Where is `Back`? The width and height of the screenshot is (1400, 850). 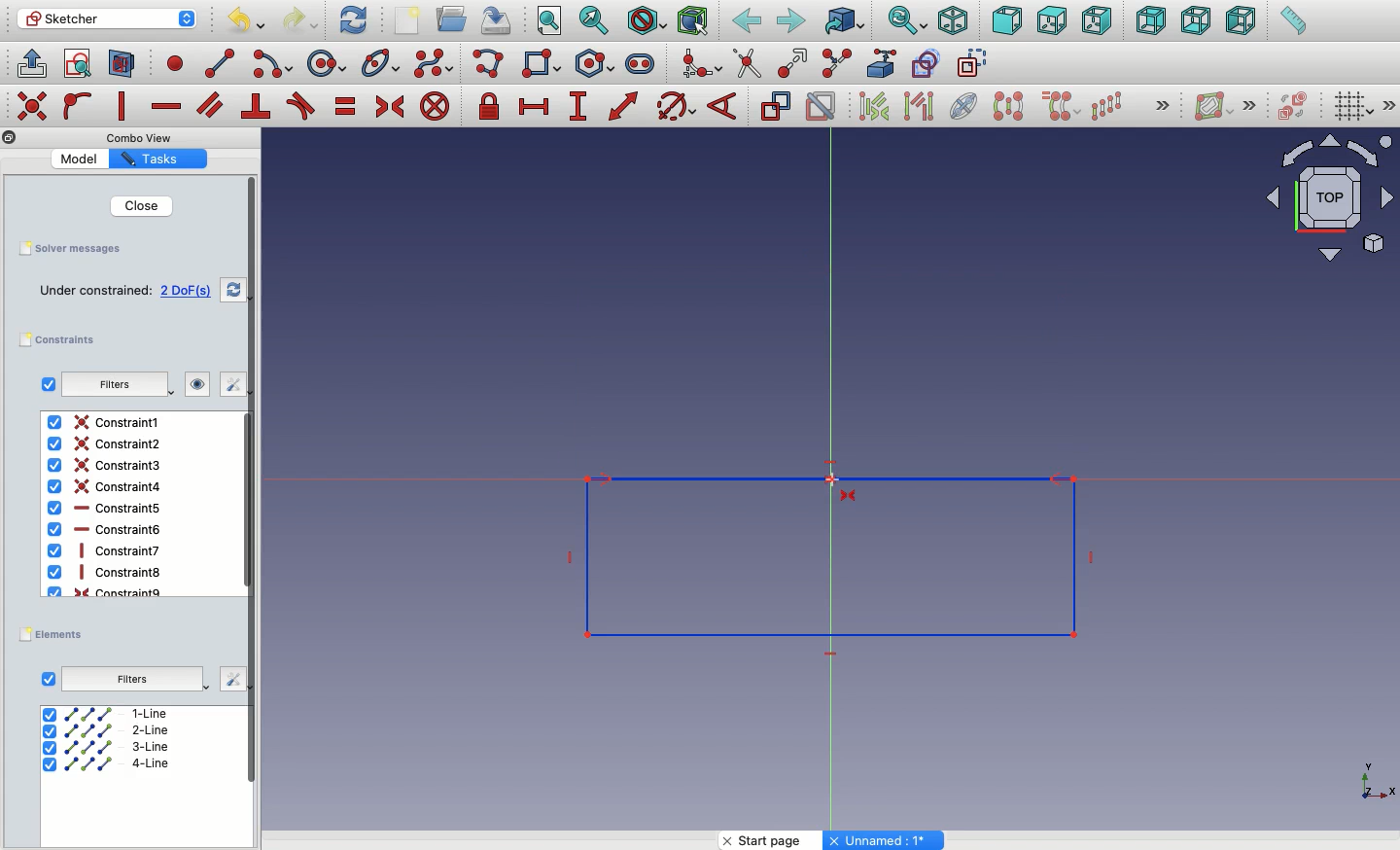
Back is located at coordinates (1152, 20).